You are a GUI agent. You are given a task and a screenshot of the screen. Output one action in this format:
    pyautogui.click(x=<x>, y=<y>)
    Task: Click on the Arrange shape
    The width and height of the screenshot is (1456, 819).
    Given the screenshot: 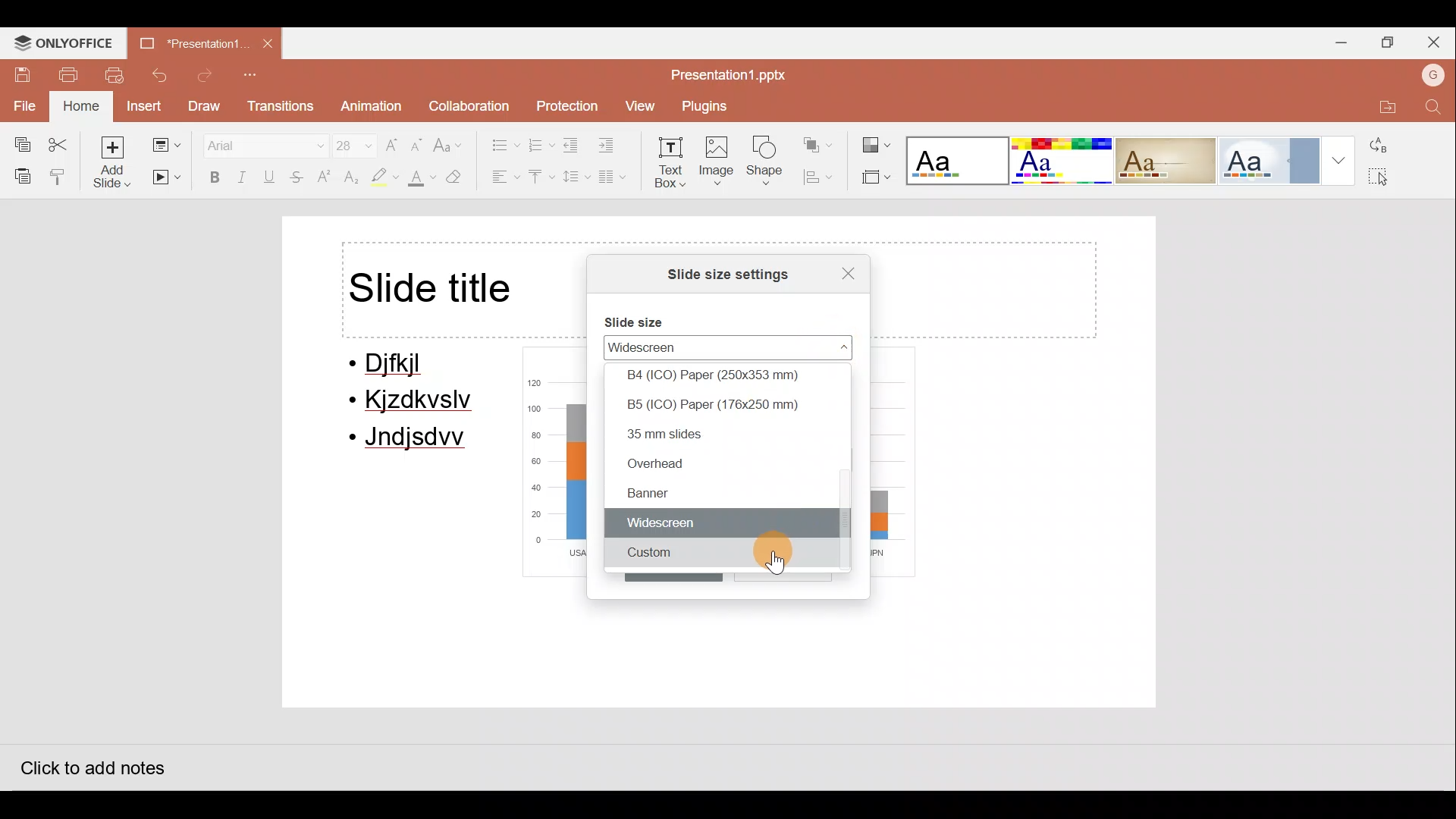 What is the action you would take?
    pyautogui.click(x=820, y=140)
    